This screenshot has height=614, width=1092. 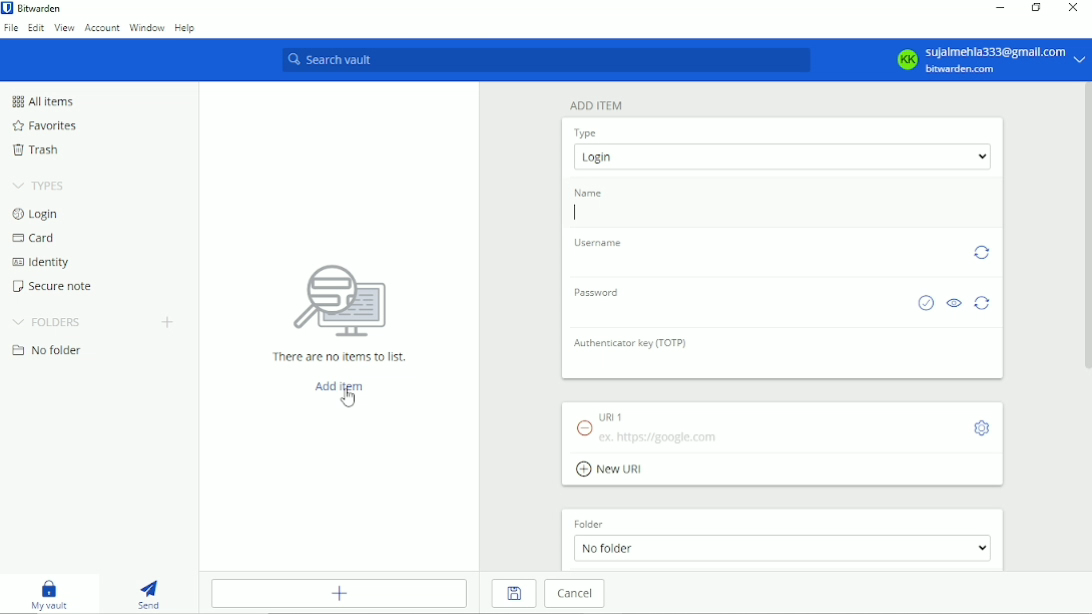 What do you see at coordinates (11, 29) in the screenshot?
I see `File` at bounding box center [11, 29].